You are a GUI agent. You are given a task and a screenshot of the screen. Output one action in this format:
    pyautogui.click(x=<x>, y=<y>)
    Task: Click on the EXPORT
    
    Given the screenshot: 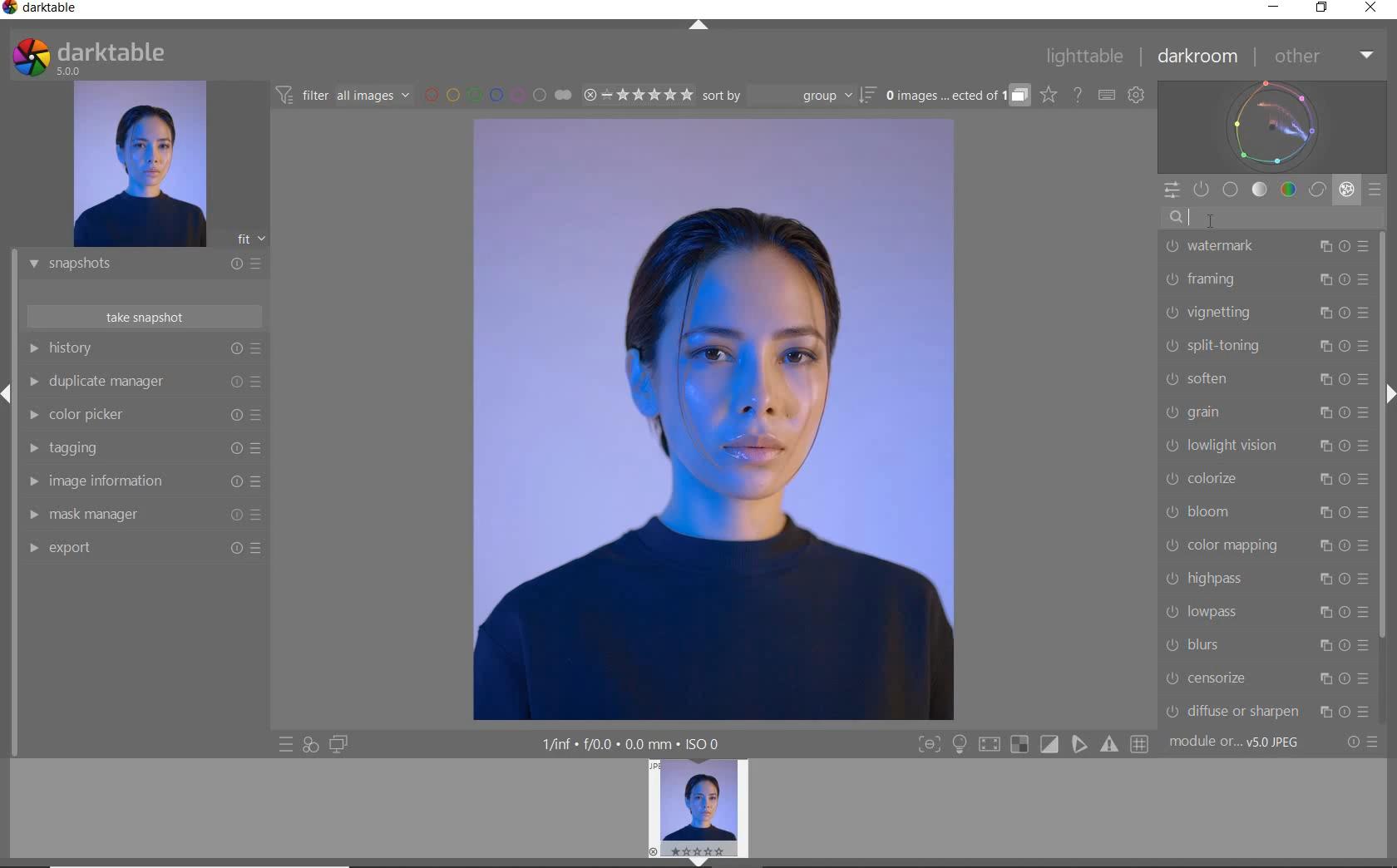 What is the action you would take?
    pyautogui.click(x=139, y=547)
    